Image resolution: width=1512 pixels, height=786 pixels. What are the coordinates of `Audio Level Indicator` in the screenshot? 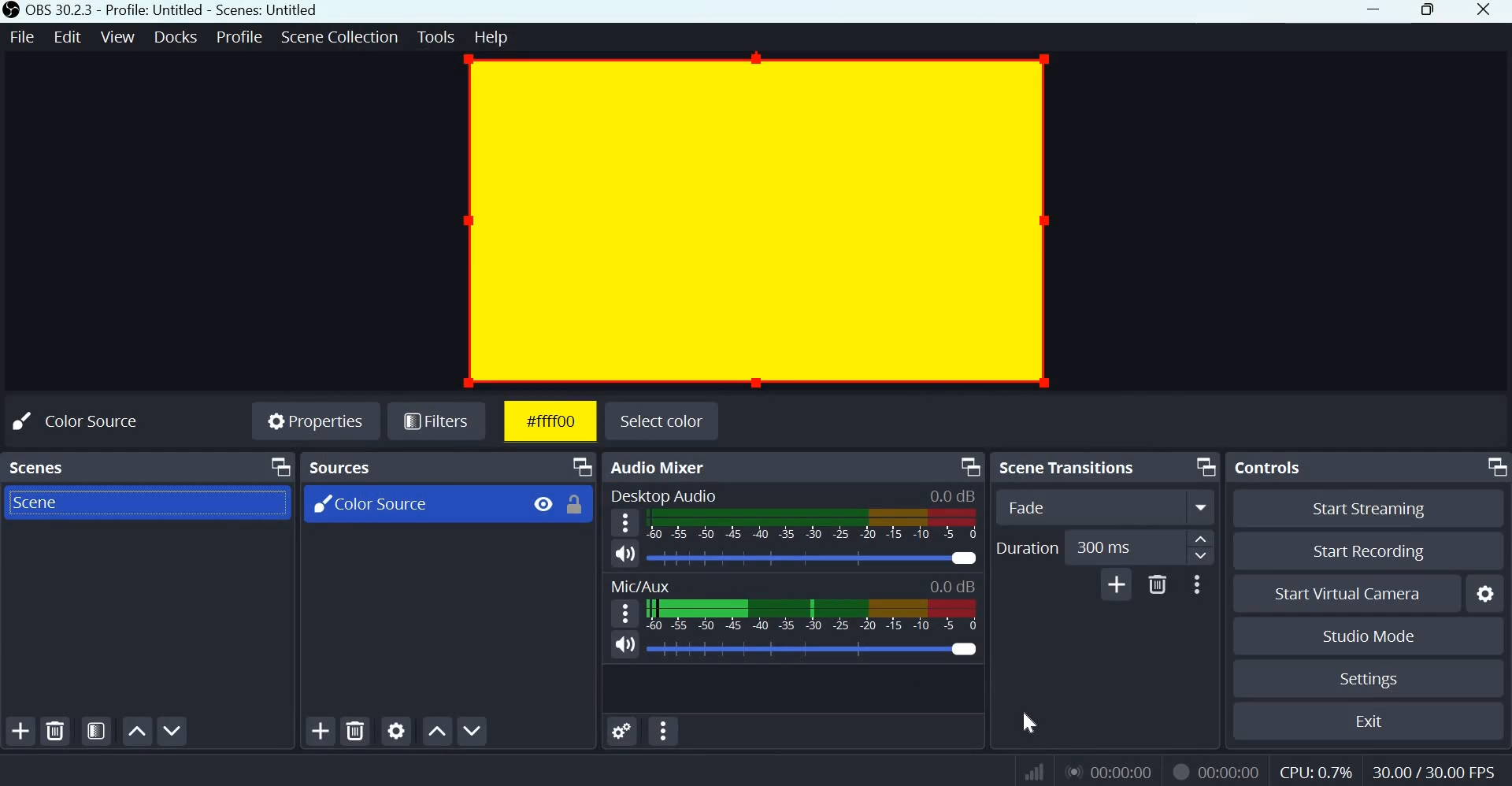 It's located at (953, 586).